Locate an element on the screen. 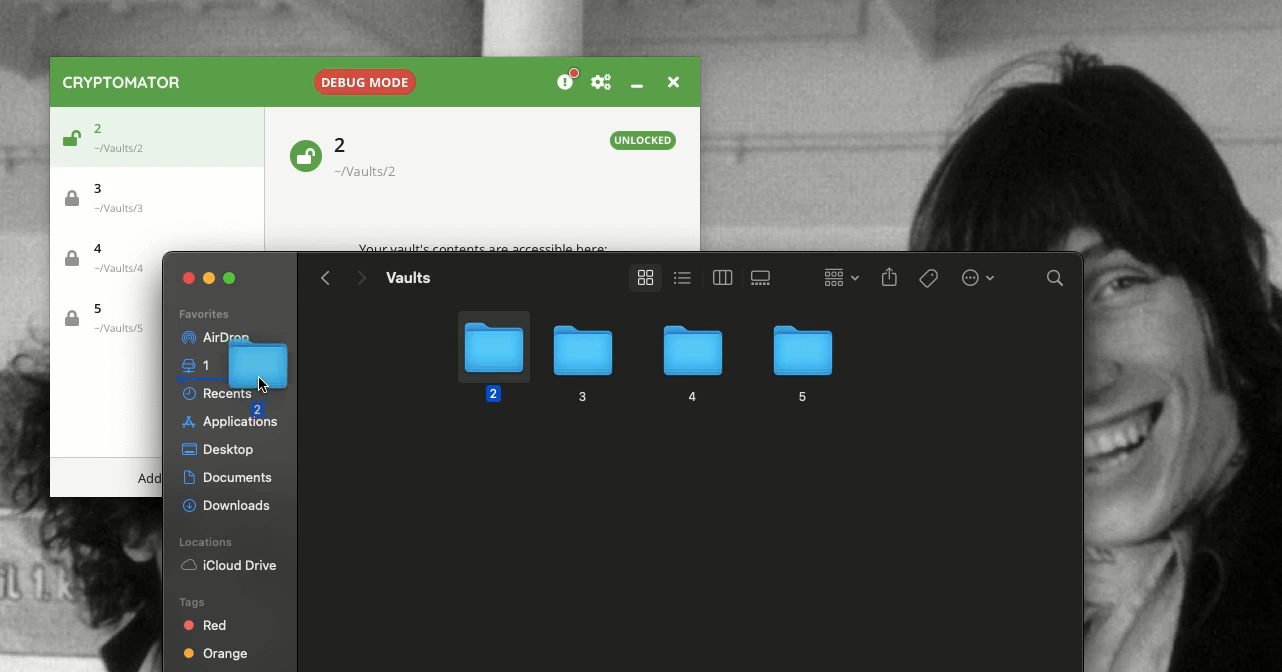 The height and width of the screenshot is (672, 1282). Tags is located at coordinates (190, 601).